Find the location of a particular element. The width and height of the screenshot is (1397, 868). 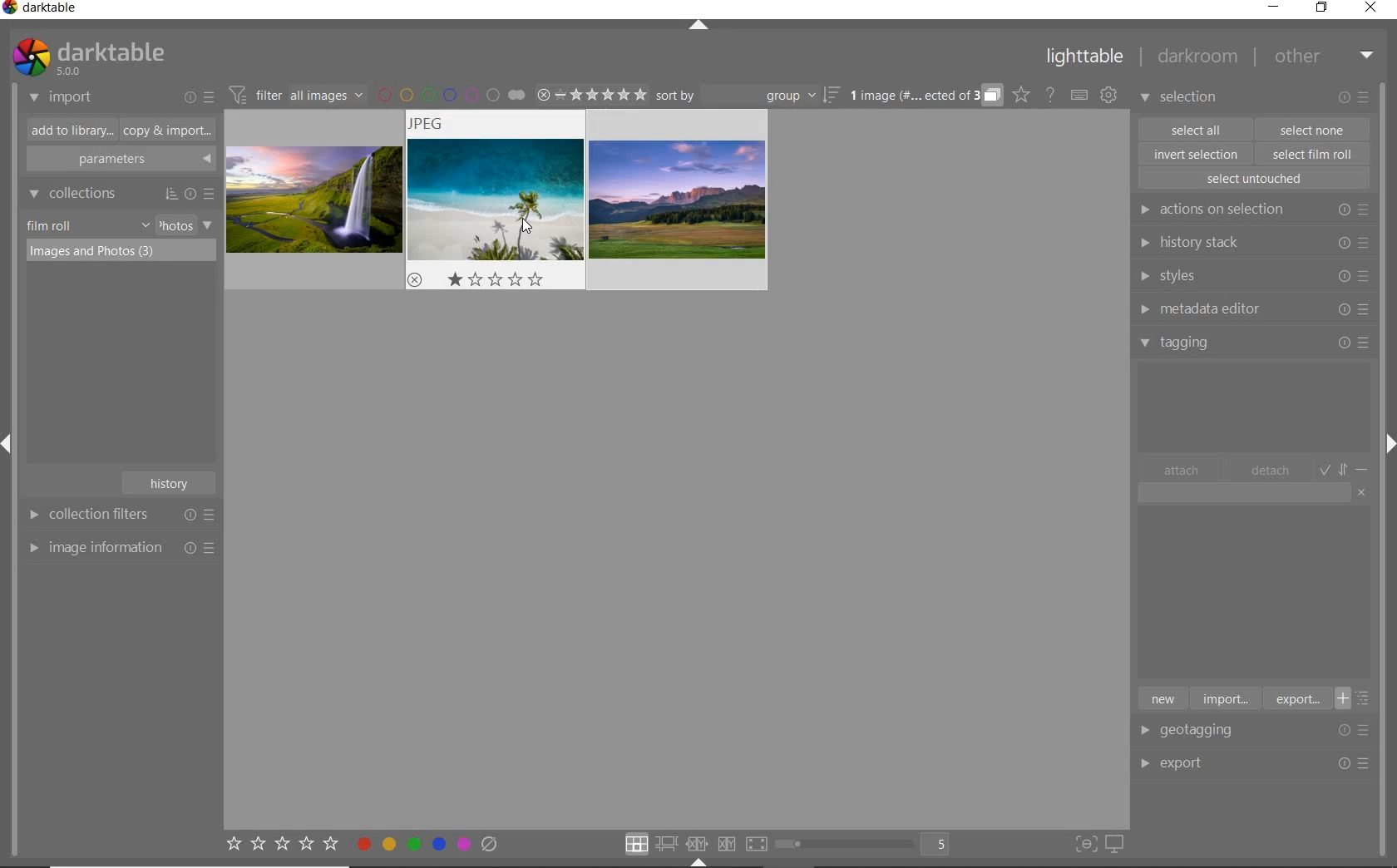

import is located at coordinates (62, 98).